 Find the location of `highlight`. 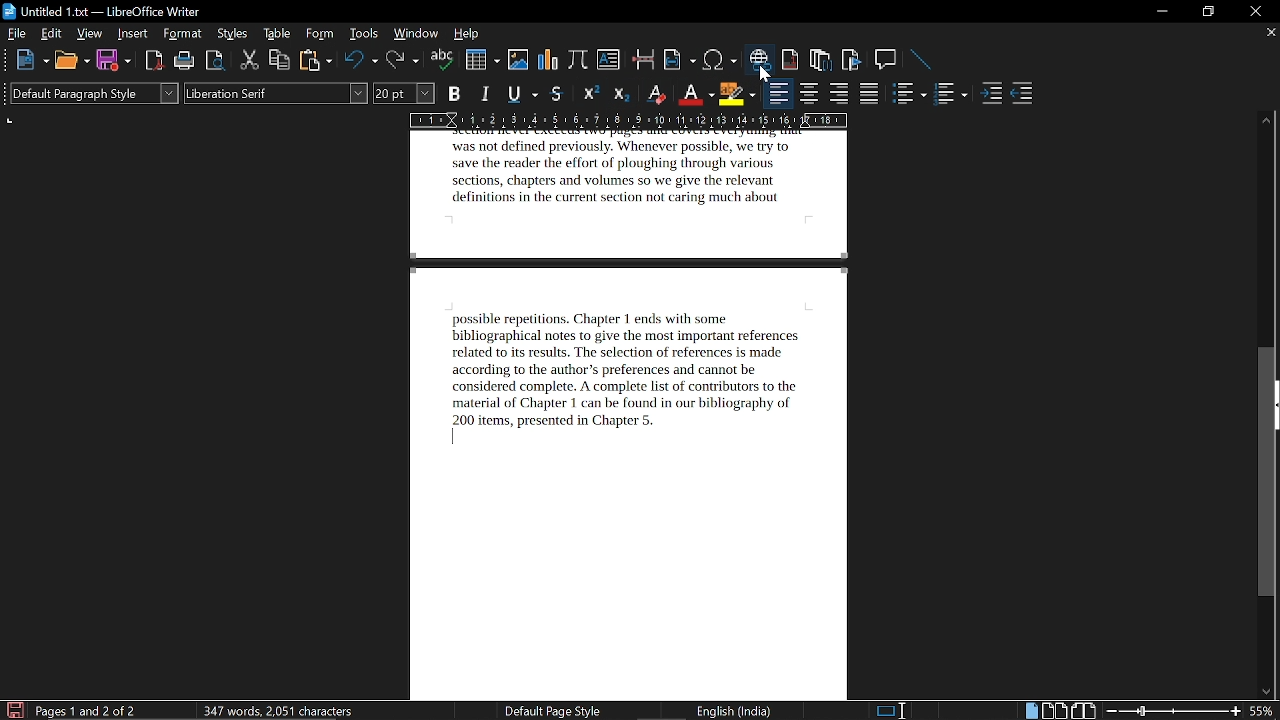

highlight is located at coordinates (737, 93).